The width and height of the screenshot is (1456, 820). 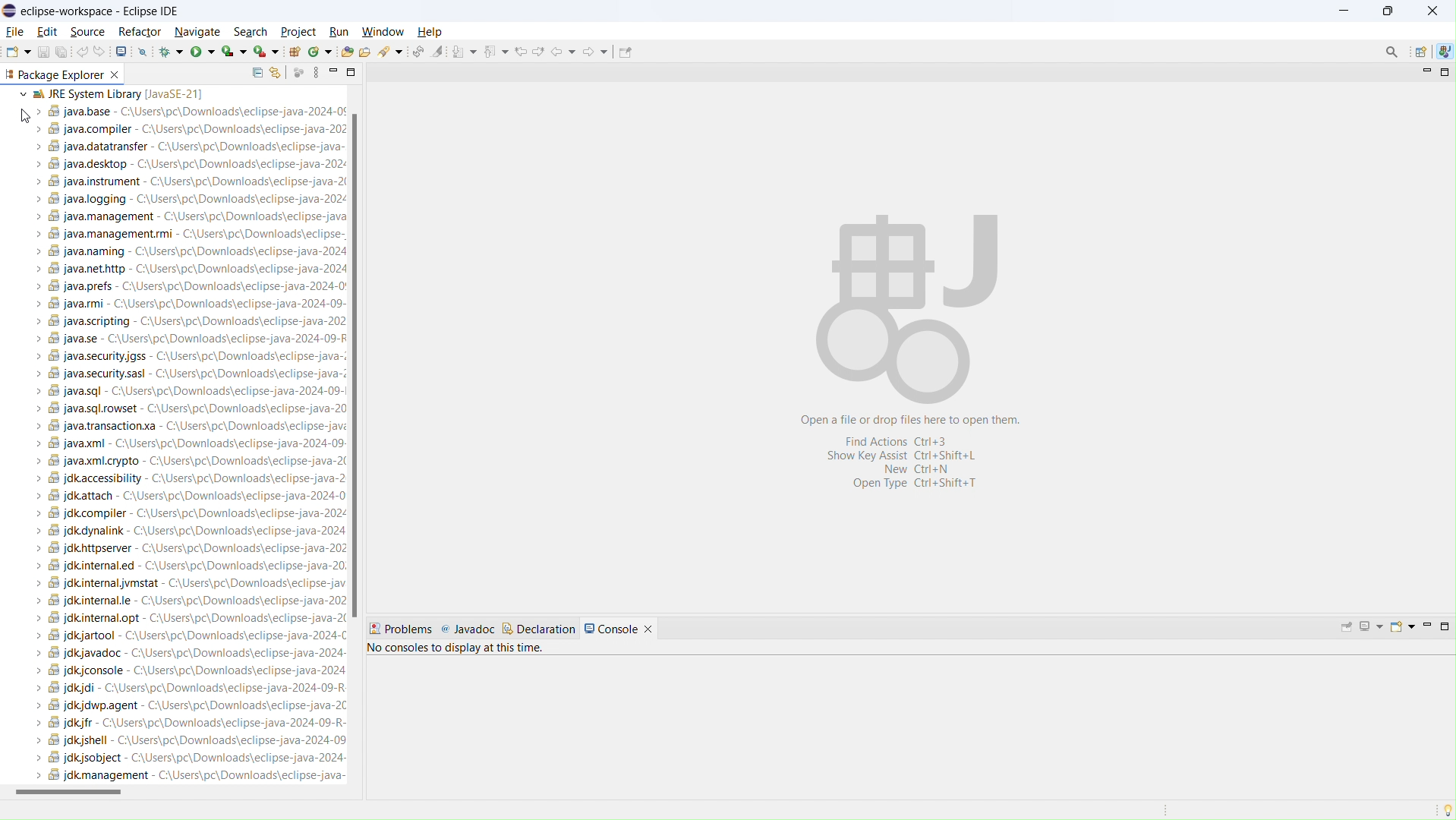 I want to click on maximize, so click(x=1388, y=10).